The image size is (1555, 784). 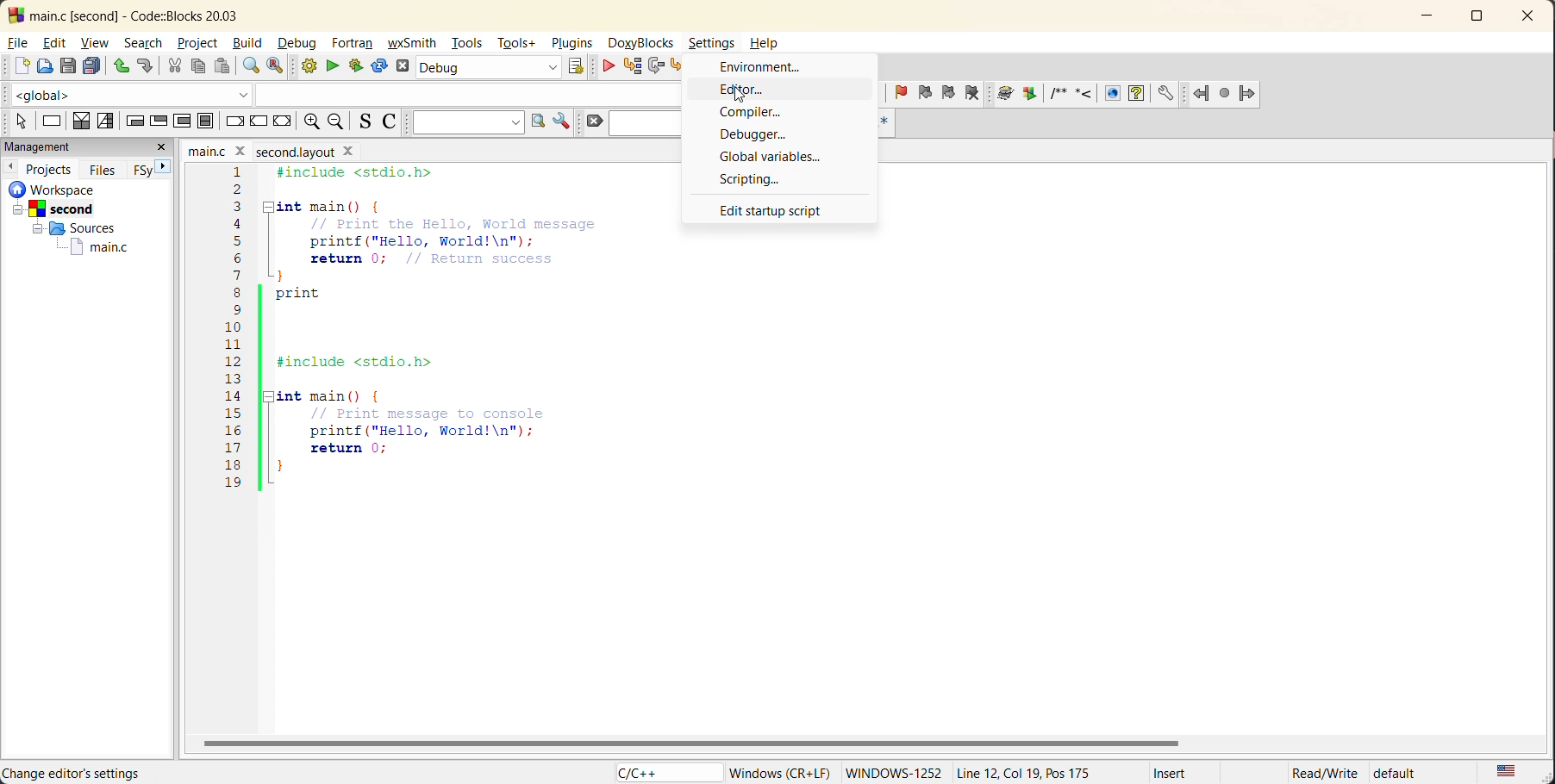 What do you see at coordinates (16, 66) in the screenshot?
I see `new` at bounding box center [16, 66].